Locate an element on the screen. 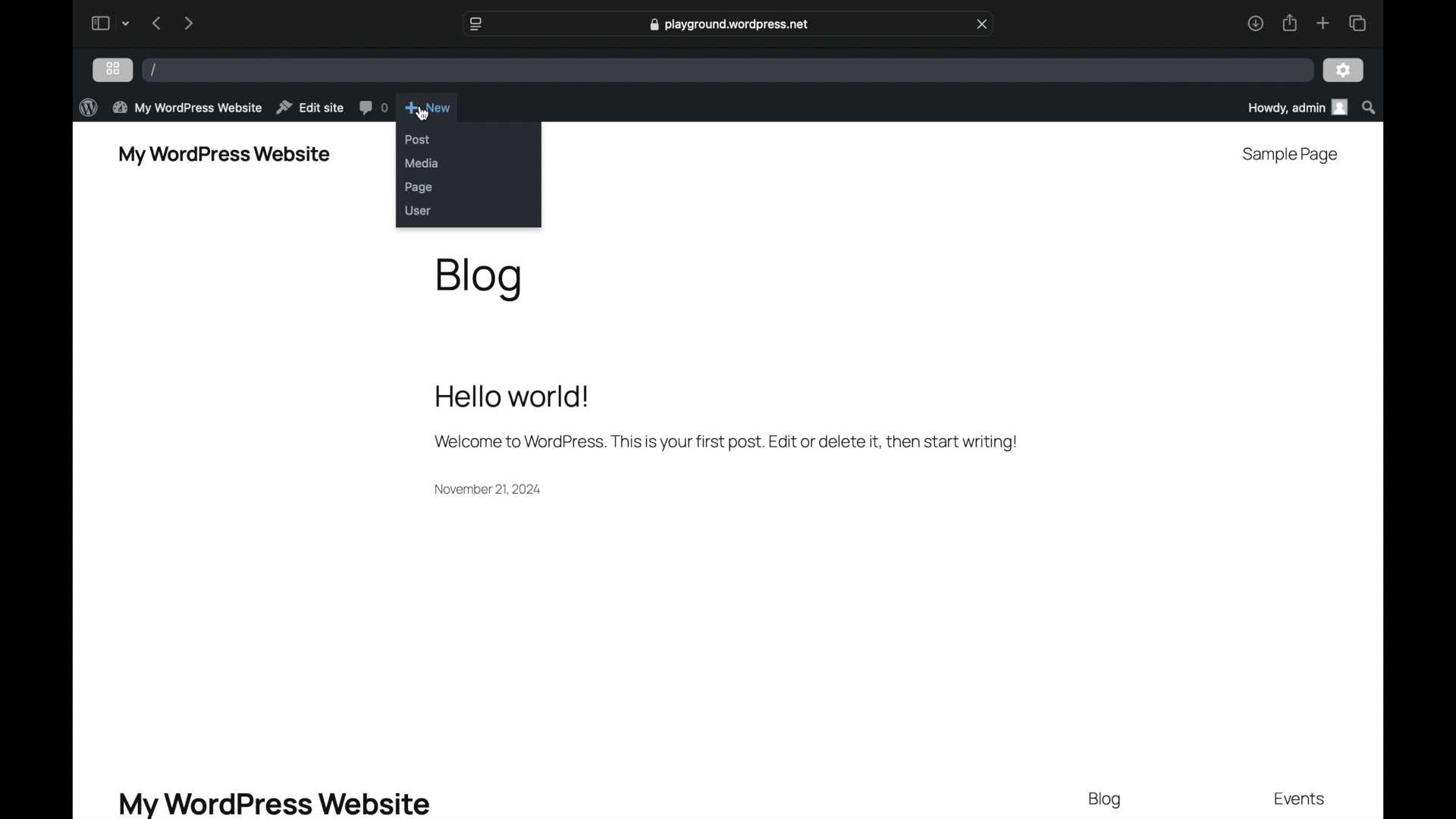 This screenshot has height=819, width=1456. edit site is located at coordinates (309, 107).